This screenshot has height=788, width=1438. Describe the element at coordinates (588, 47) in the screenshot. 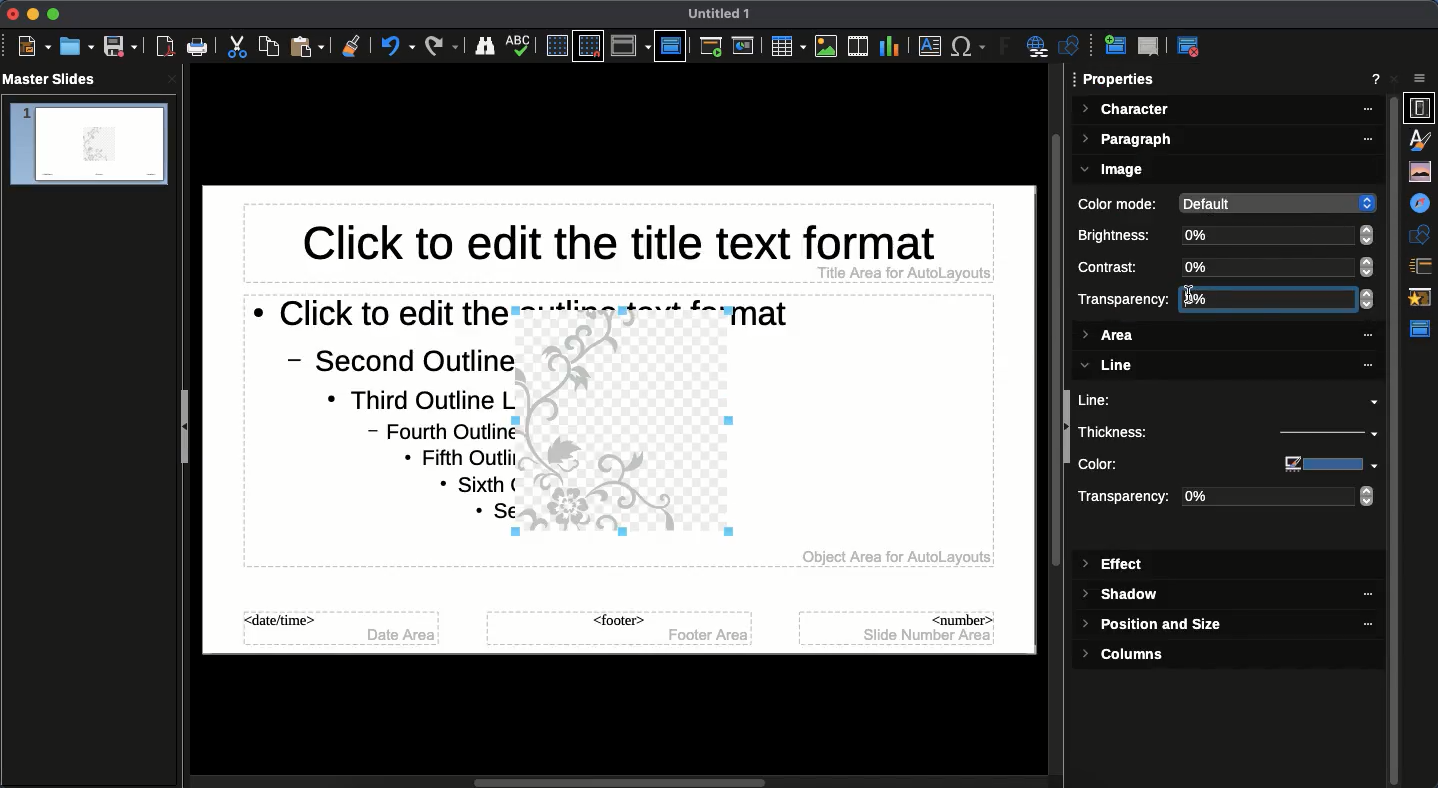

I see `Snap grid` at that location.